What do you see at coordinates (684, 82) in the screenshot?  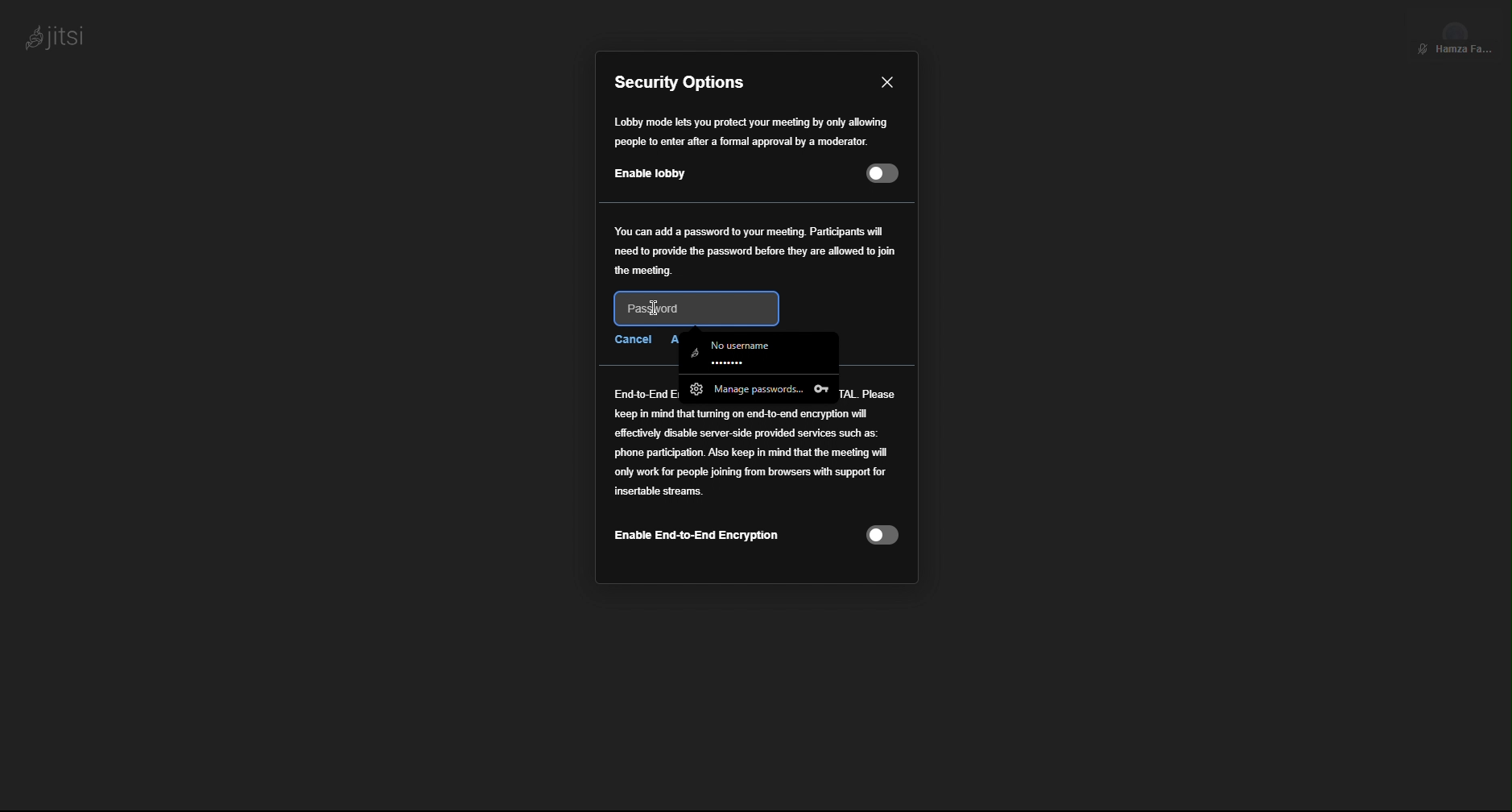 I see `Security Options` at bounding box center [684, 82].